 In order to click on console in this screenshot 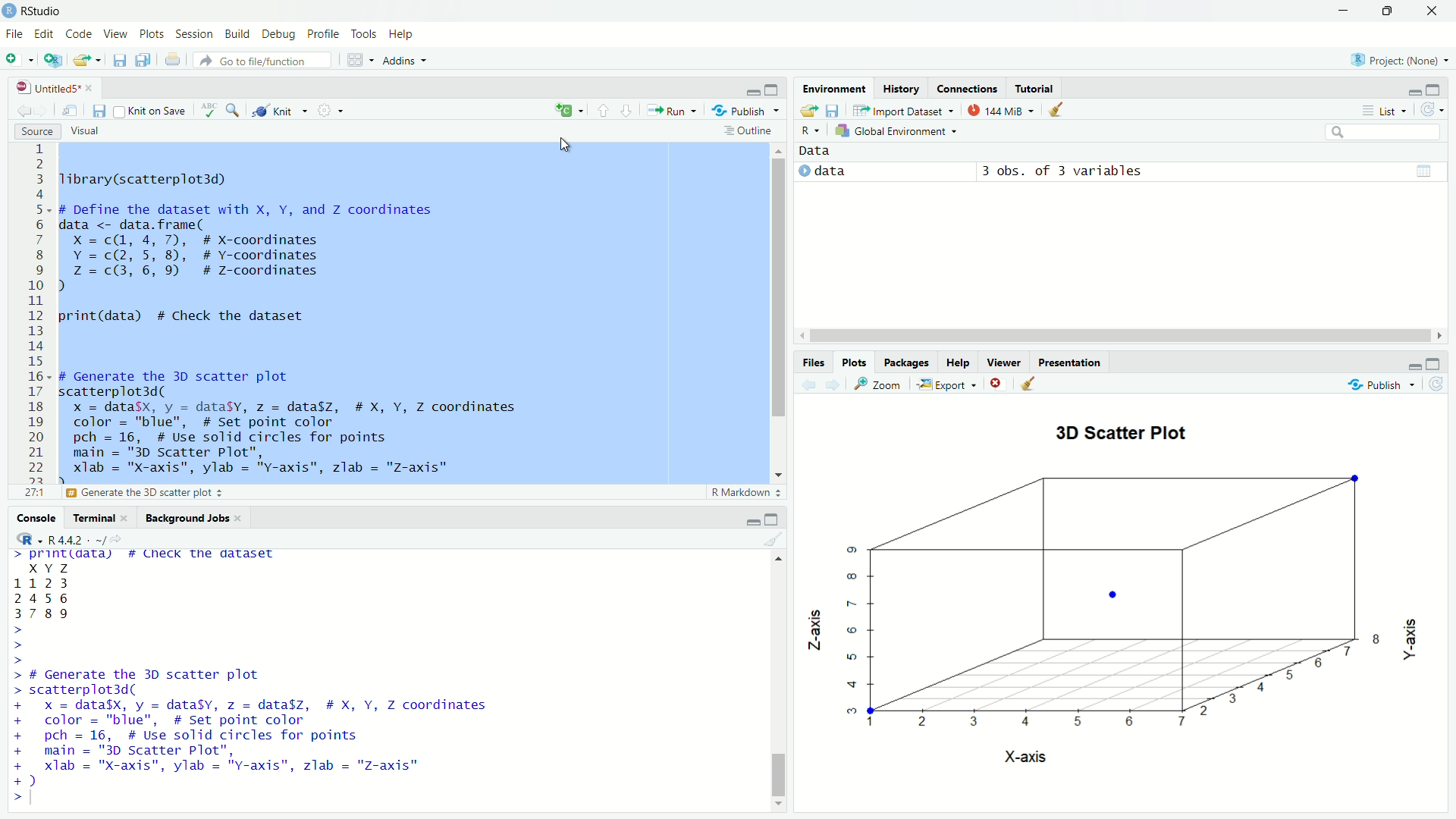, I will do `click(29, 517)`.